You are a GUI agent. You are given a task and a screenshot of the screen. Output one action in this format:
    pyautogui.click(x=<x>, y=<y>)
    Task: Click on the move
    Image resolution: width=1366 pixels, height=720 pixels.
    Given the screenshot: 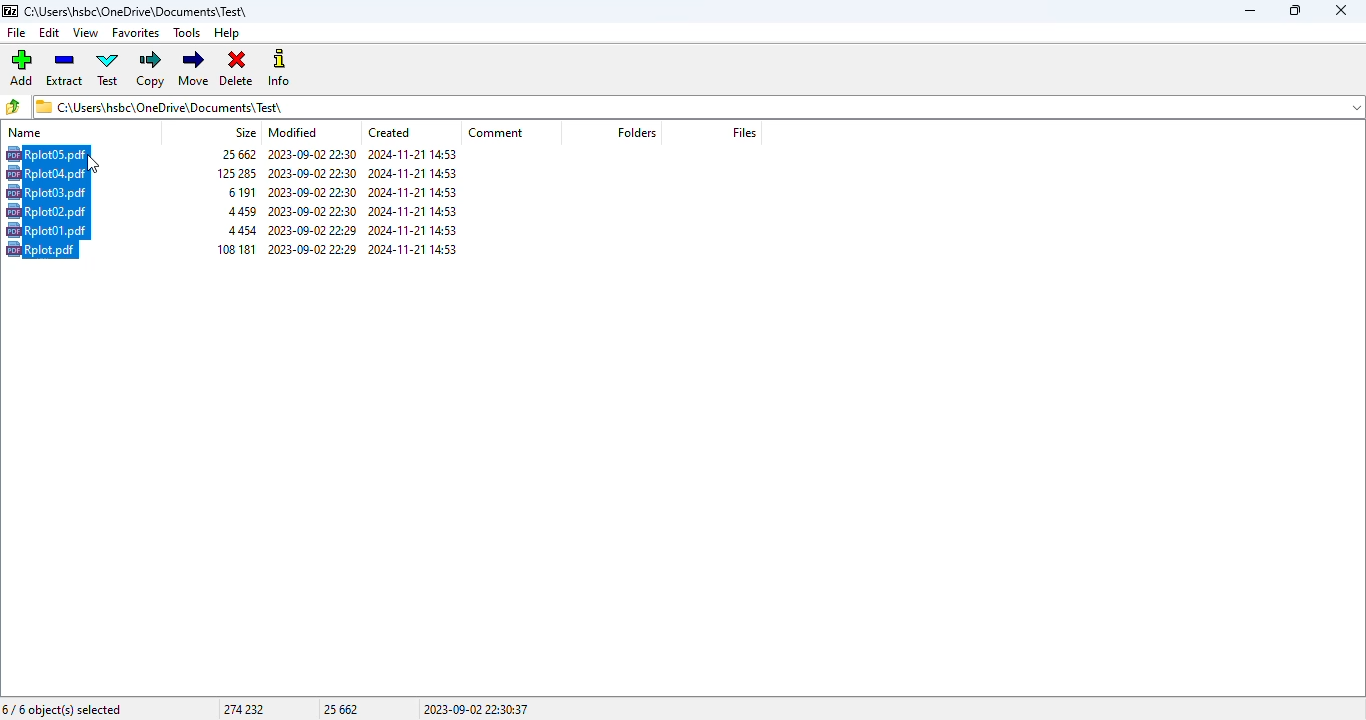 What is the action you would take?
    pyautogui.click(x=195, y=68)
    